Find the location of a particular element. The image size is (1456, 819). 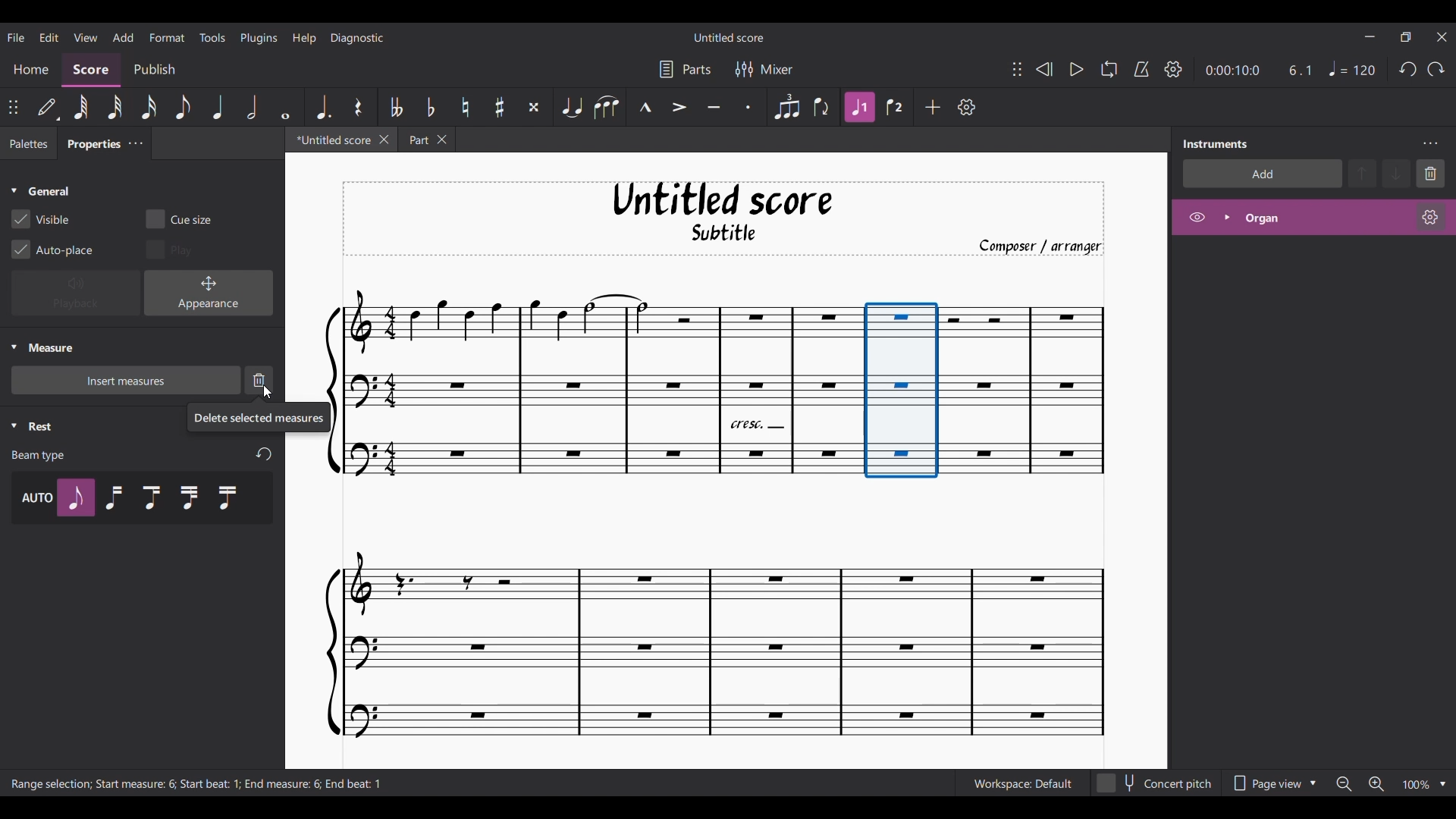

Move selection up is located at coordinates (1362, 173).